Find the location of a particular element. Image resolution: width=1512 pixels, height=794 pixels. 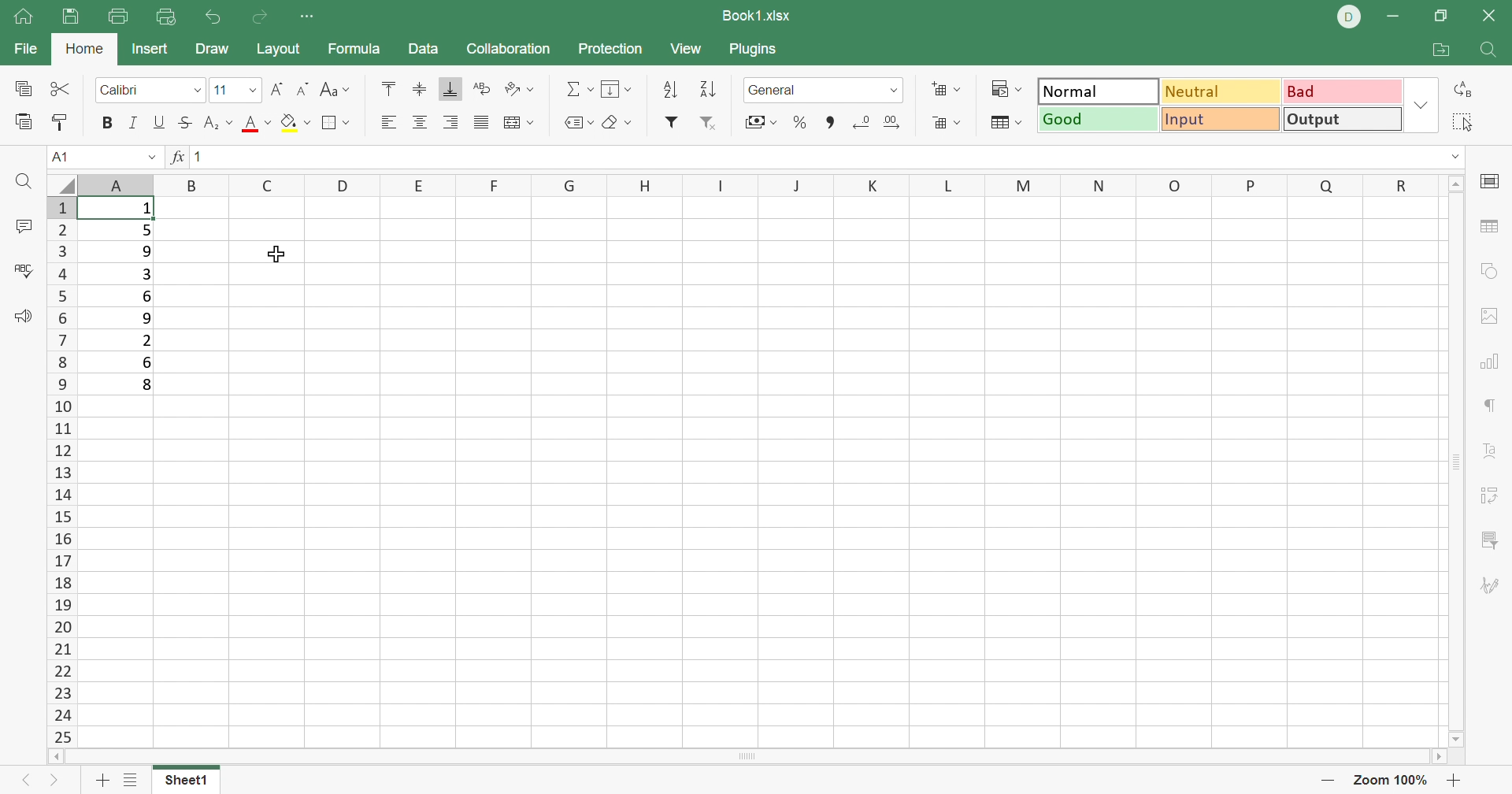

5 is located at coordinates (146, 232).